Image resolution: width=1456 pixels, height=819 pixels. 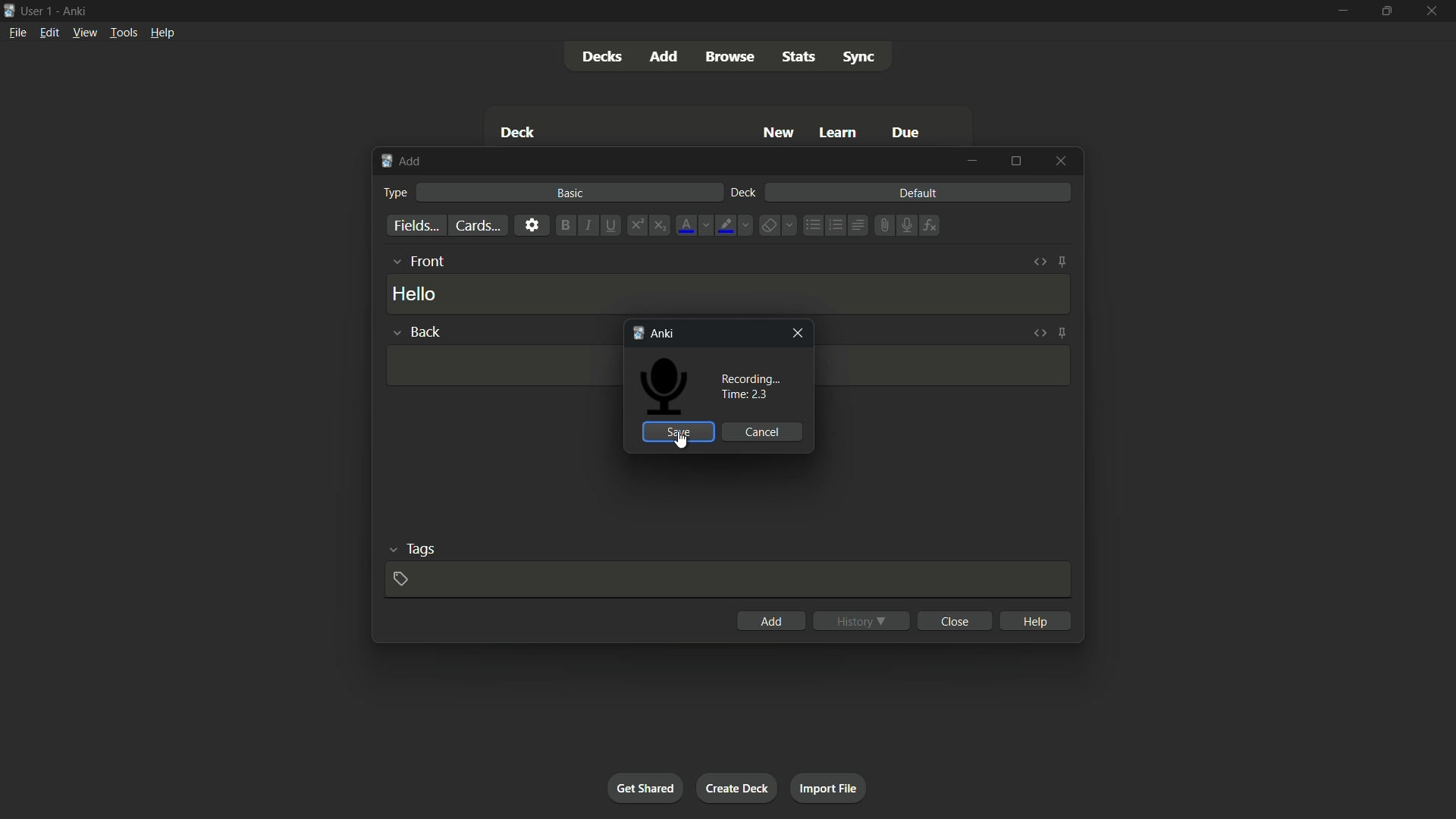 What do you see at coordinates (736, 226) in the screenshot?
I see `highlight text` at bounding box center [736, 226].